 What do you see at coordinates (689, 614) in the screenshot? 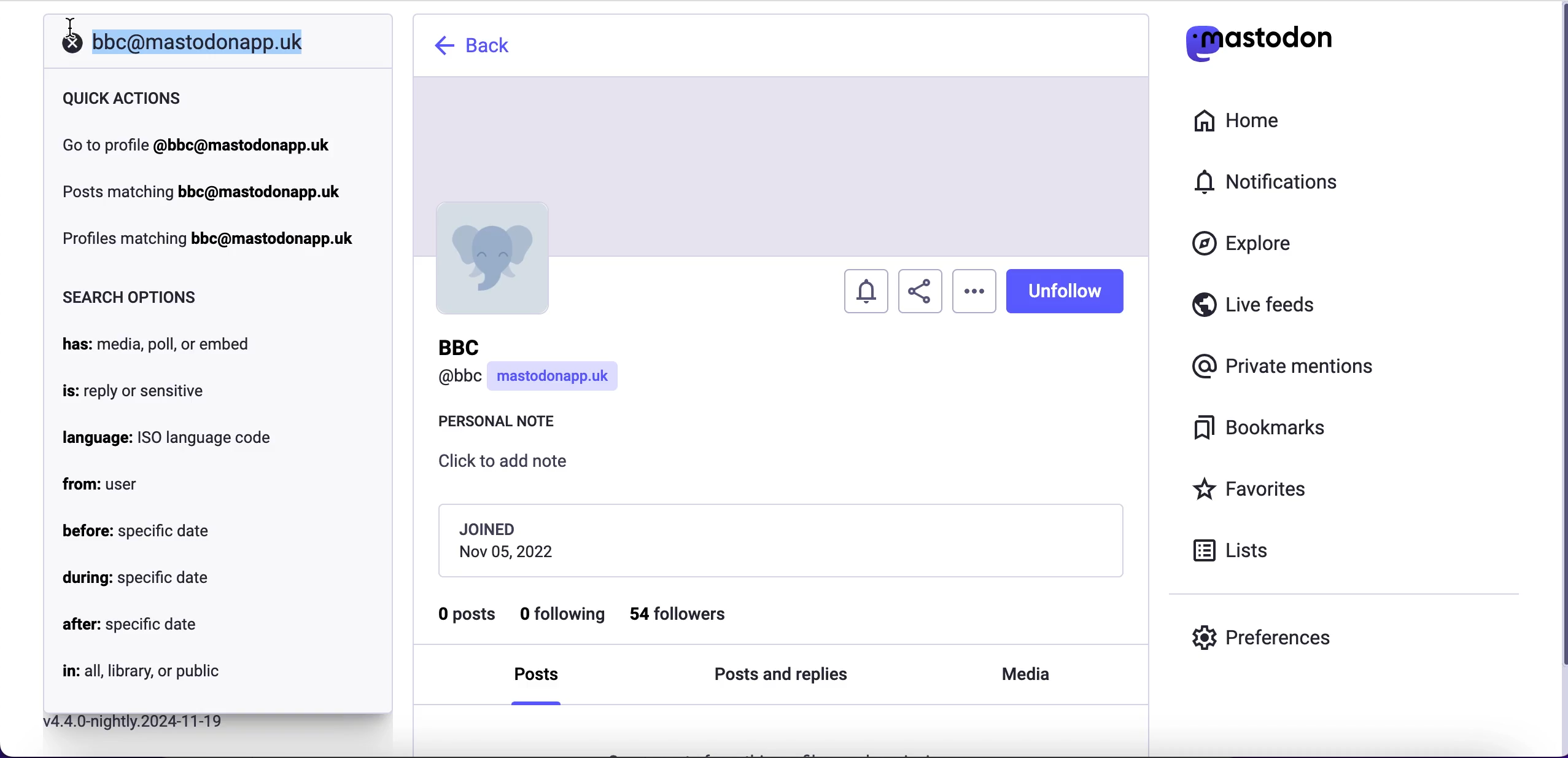
I see `54 followers` at bounding box center [689, 614].